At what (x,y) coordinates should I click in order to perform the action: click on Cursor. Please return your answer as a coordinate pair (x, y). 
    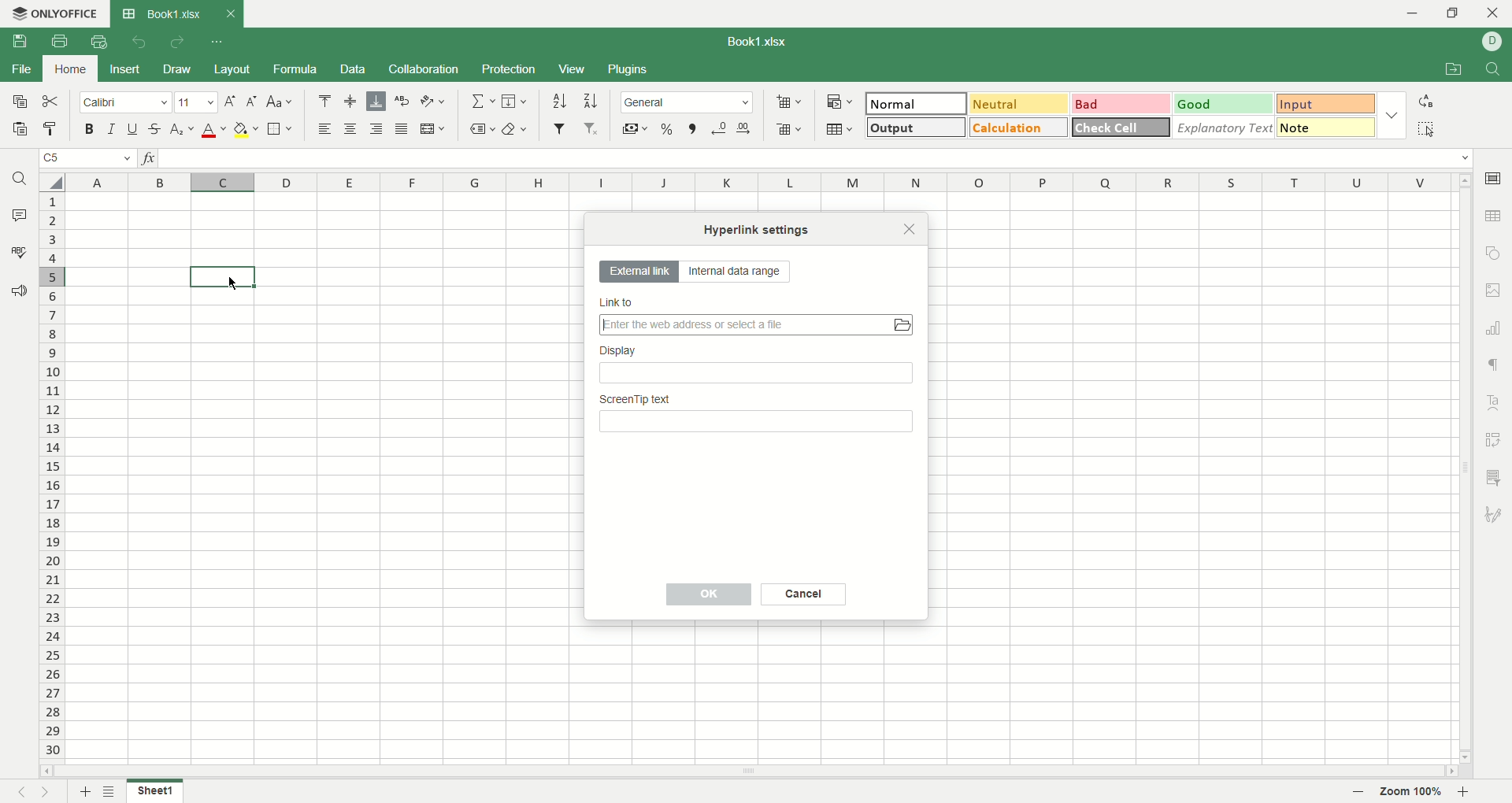
    Looking at the image, I should click on (228, 284).